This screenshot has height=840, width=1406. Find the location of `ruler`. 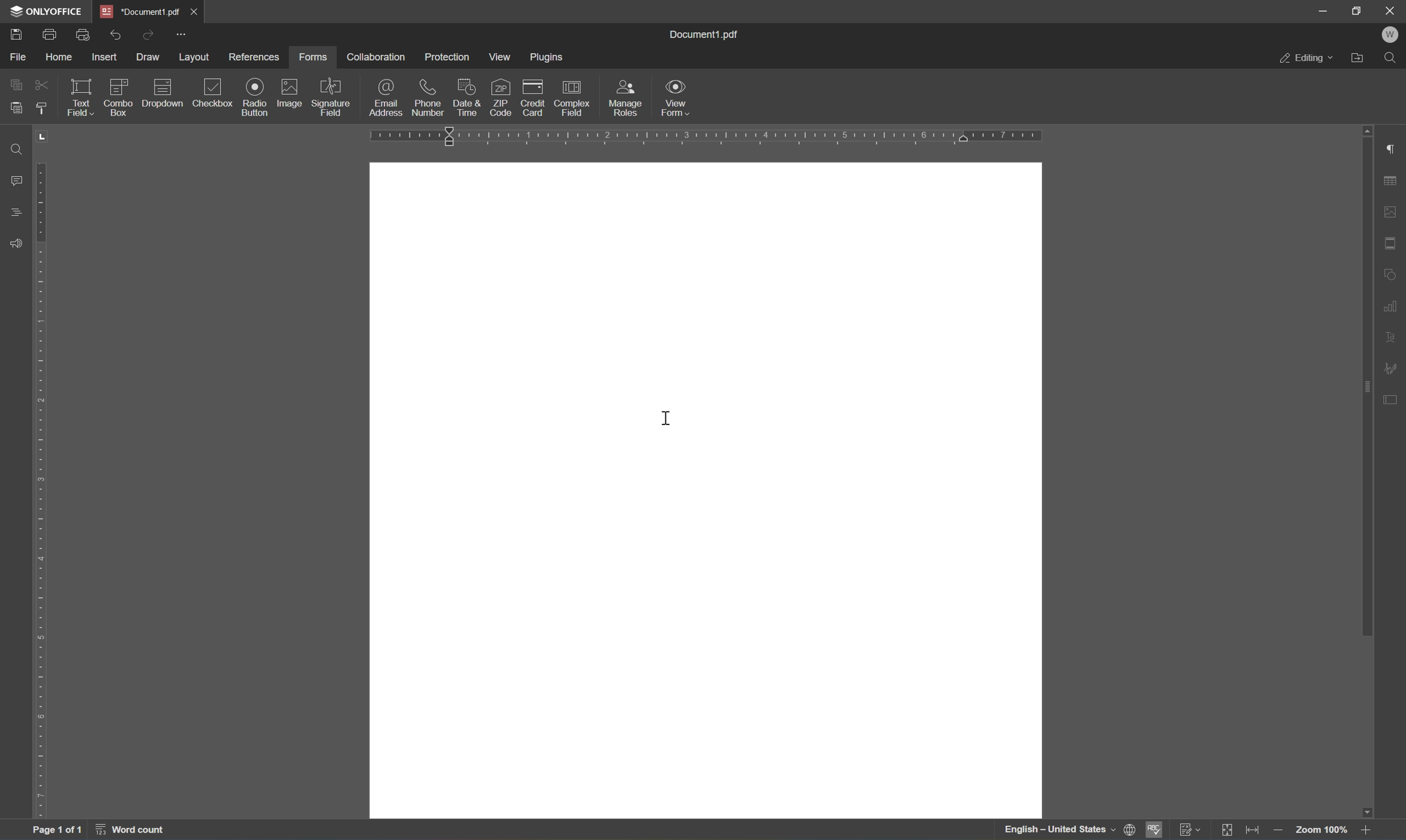

ruler is located at coordinates (712, 136).